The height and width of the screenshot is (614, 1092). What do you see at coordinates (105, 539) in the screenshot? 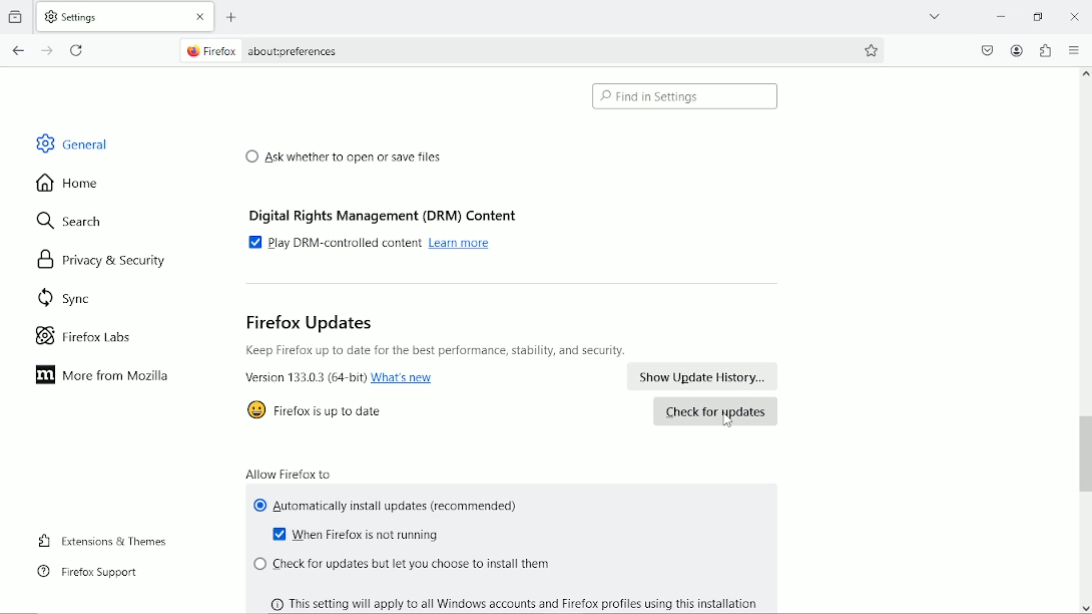
I see `extensions and themes` at bounding box center [105, 539].